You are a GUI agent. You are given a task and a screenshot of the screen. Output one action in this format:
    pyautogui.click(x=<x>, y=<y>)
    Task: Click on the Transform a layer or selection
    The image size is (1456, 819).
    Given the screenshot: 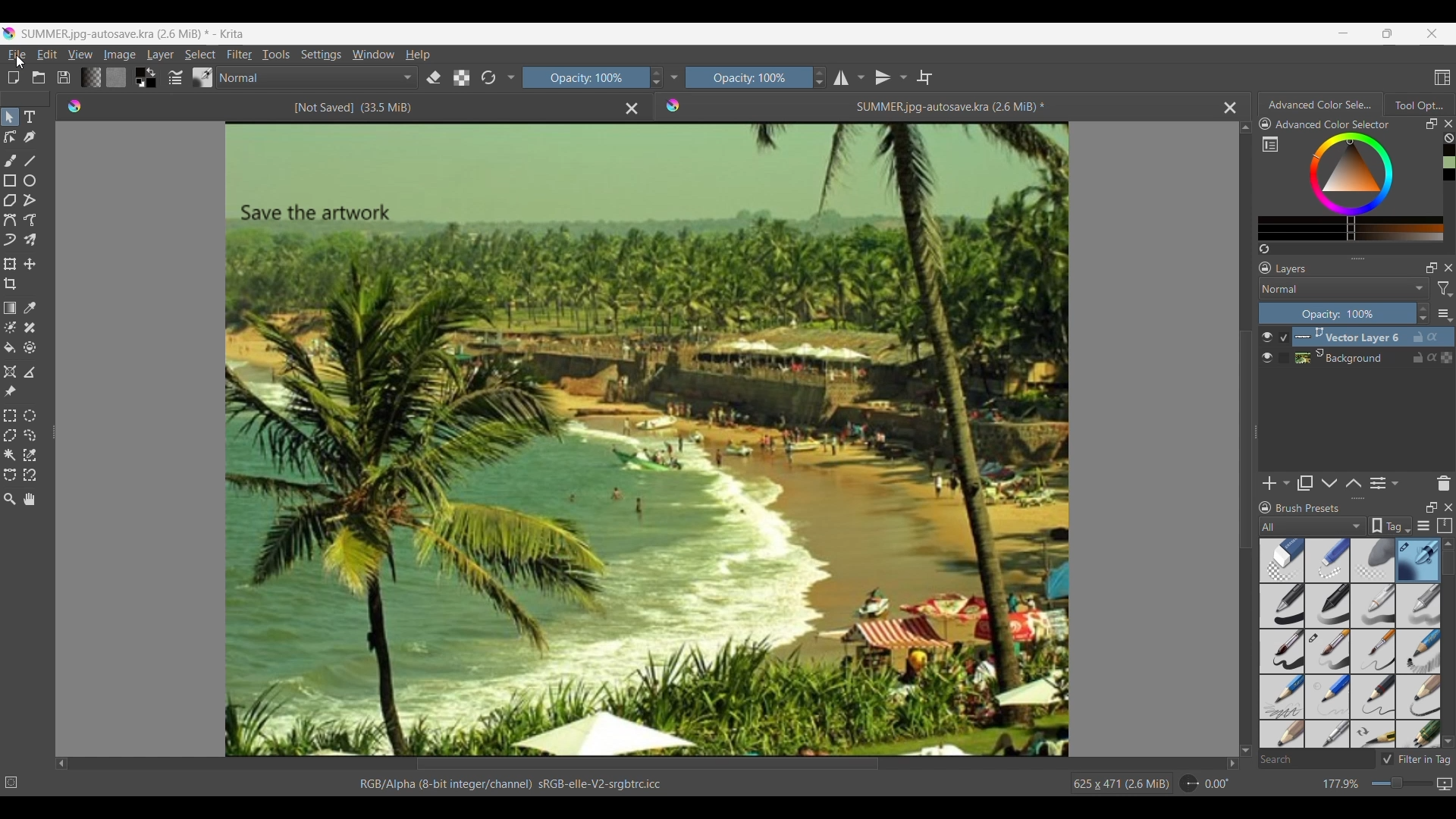 What is the action you would take?
    pyautogui.click(x=9, y=264)
    